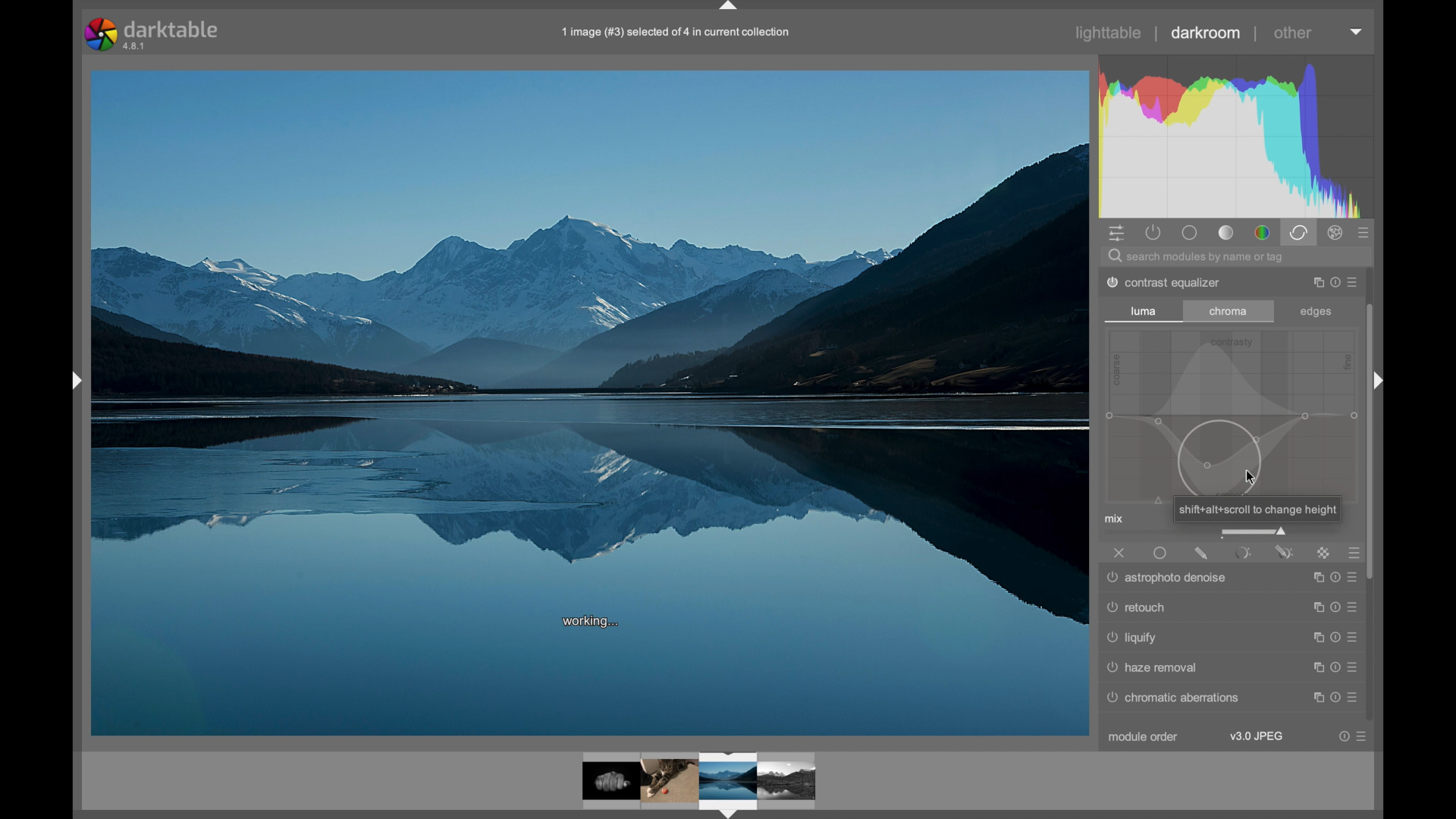 The width and height of the screenshot is (1456, 819). I want to click on more options, so click(1352, 736).